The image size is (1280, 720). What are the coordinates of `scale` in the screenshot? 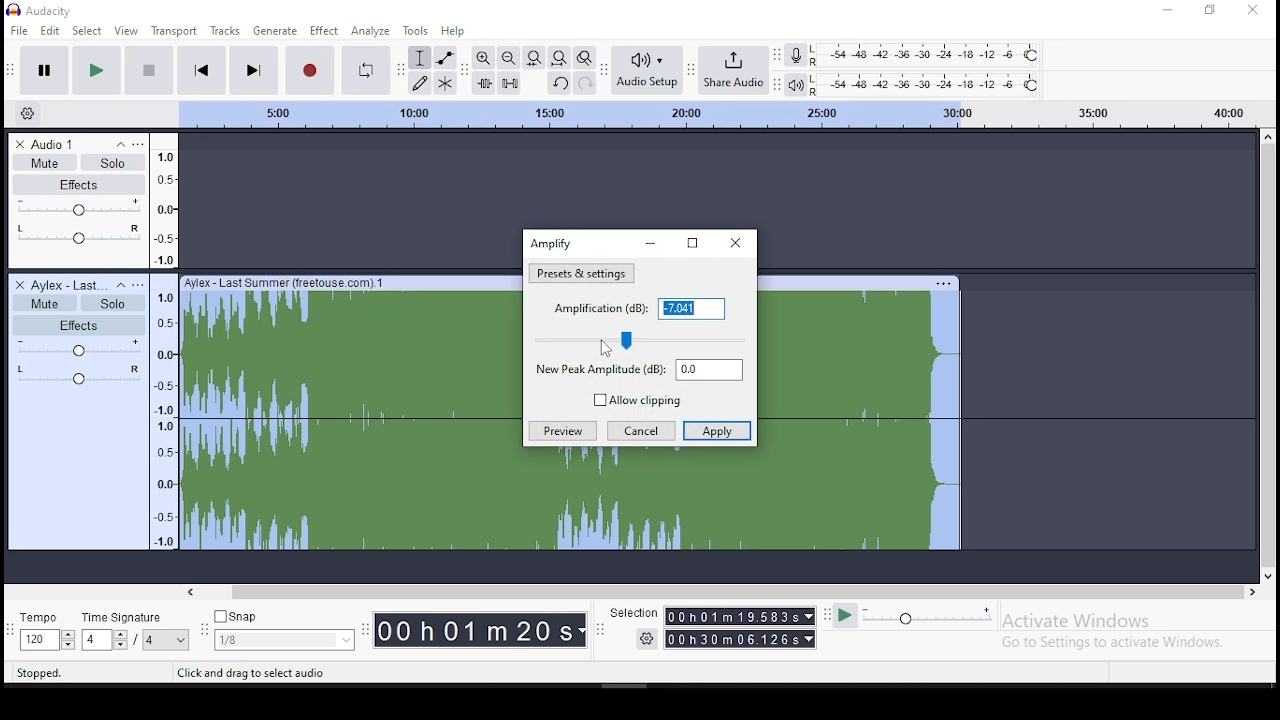 It's located at (715, 115).